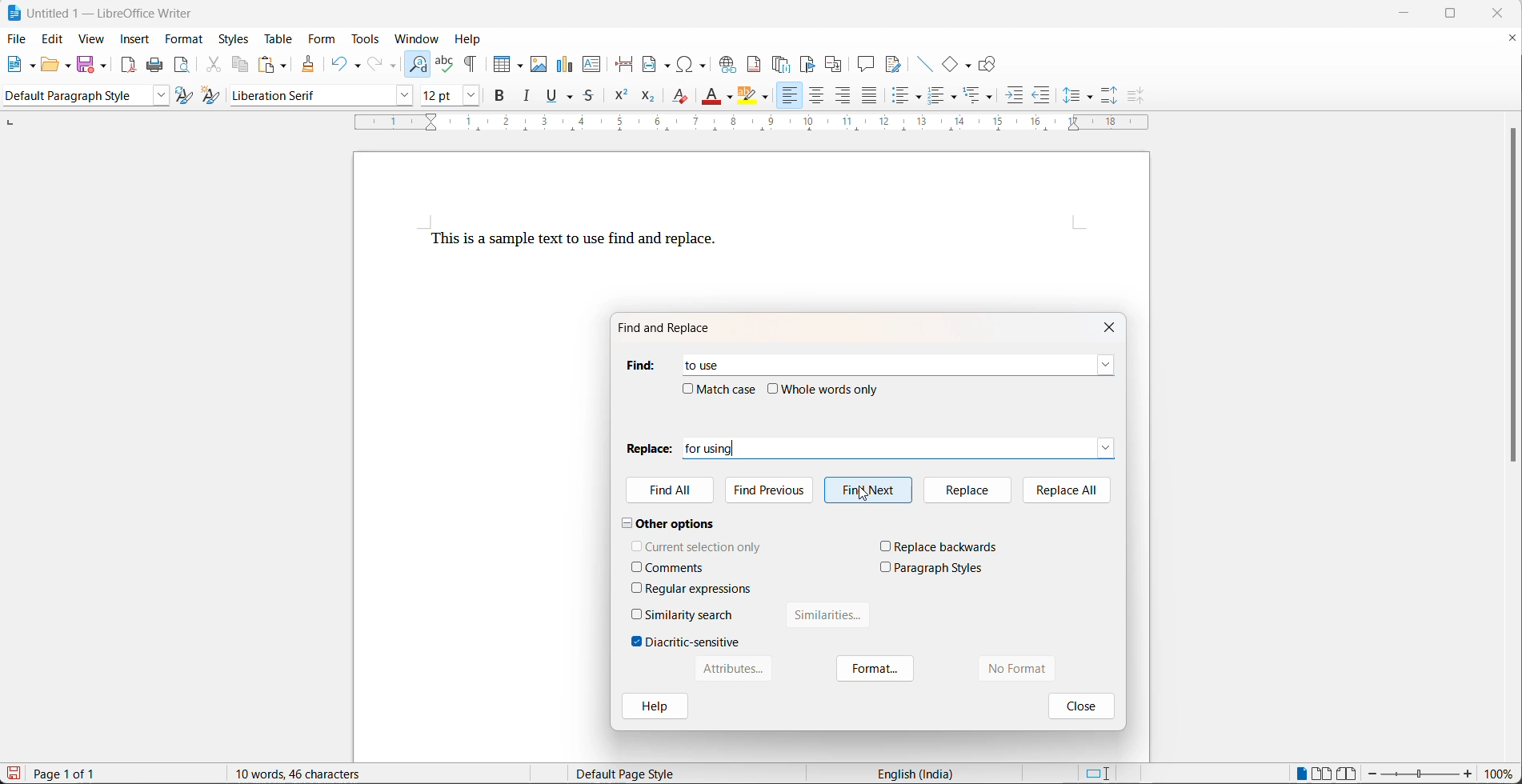 The width and height of the screenshot is (1522, 784). What do you see at coordinates (1512, 41) in the screenshot?
I see `close document` at bounding box center [1512, 41].